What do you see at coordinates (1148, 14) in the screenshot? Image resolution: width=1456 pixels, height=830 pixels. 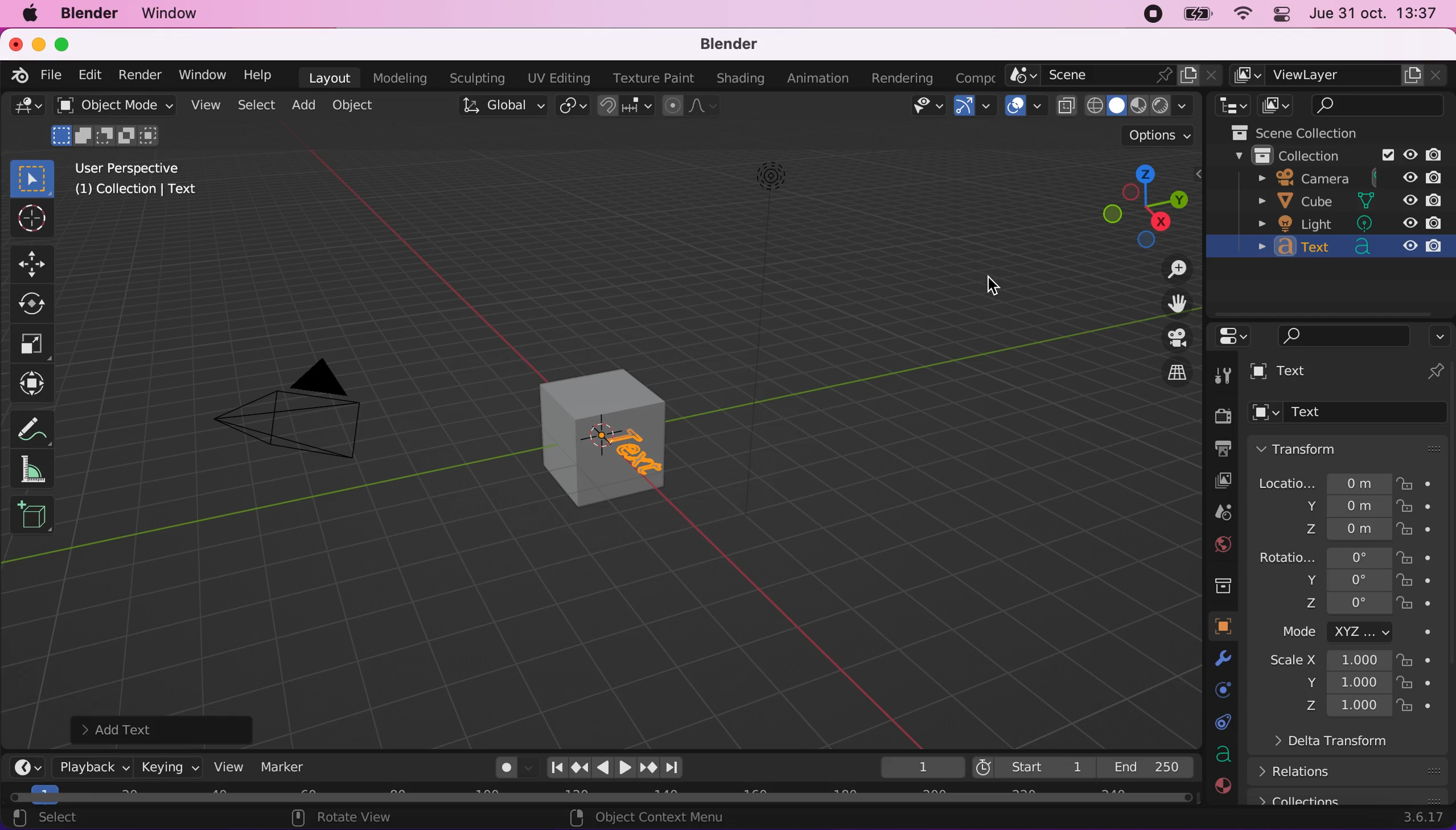 I see `recording stopped` at bounding box center [1148, 14].